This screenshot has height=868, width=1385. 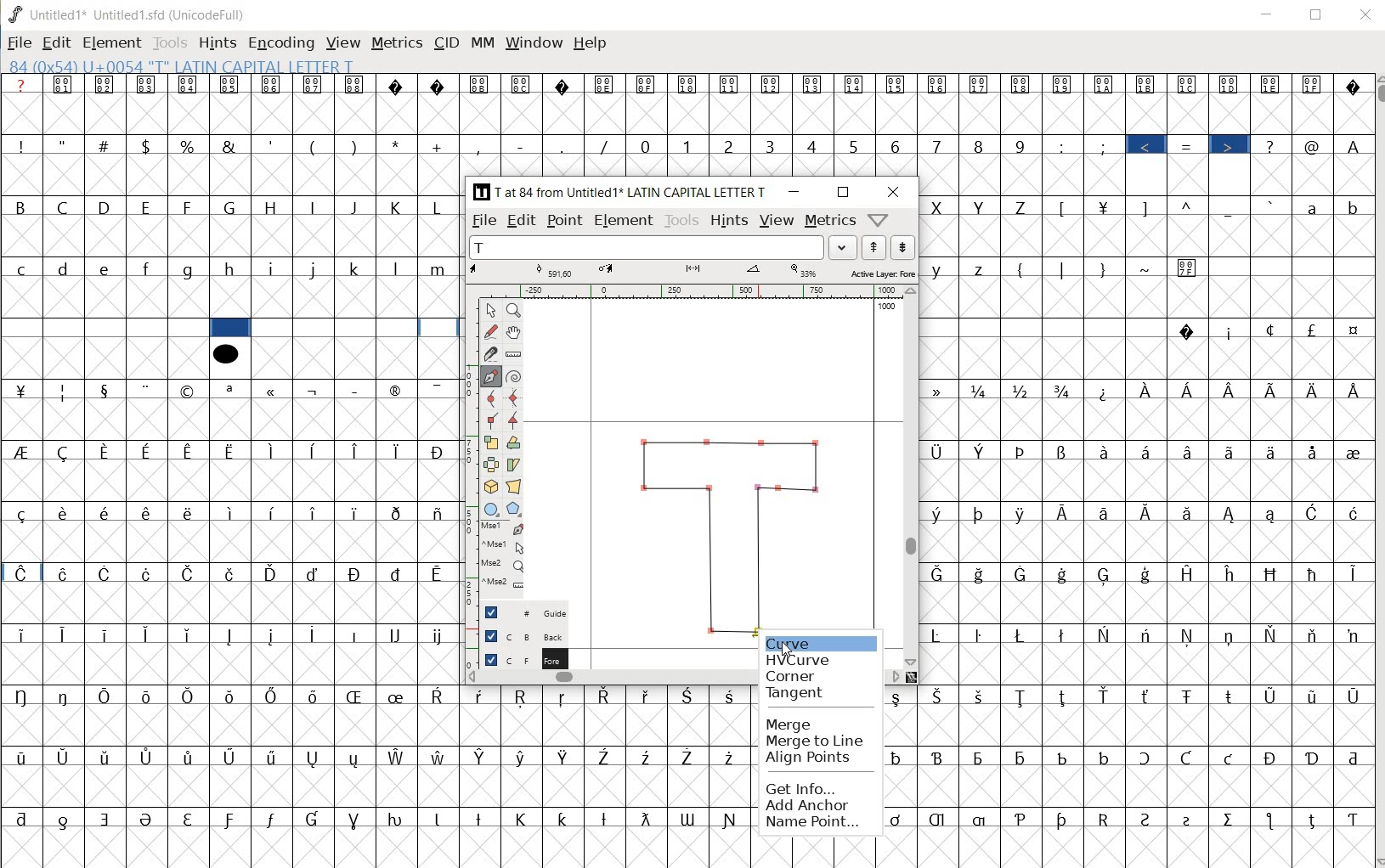 What do you see at coordinates (1193, 573) in the screenshot?
I see `Symbol` at bounding box center [1193, 573].